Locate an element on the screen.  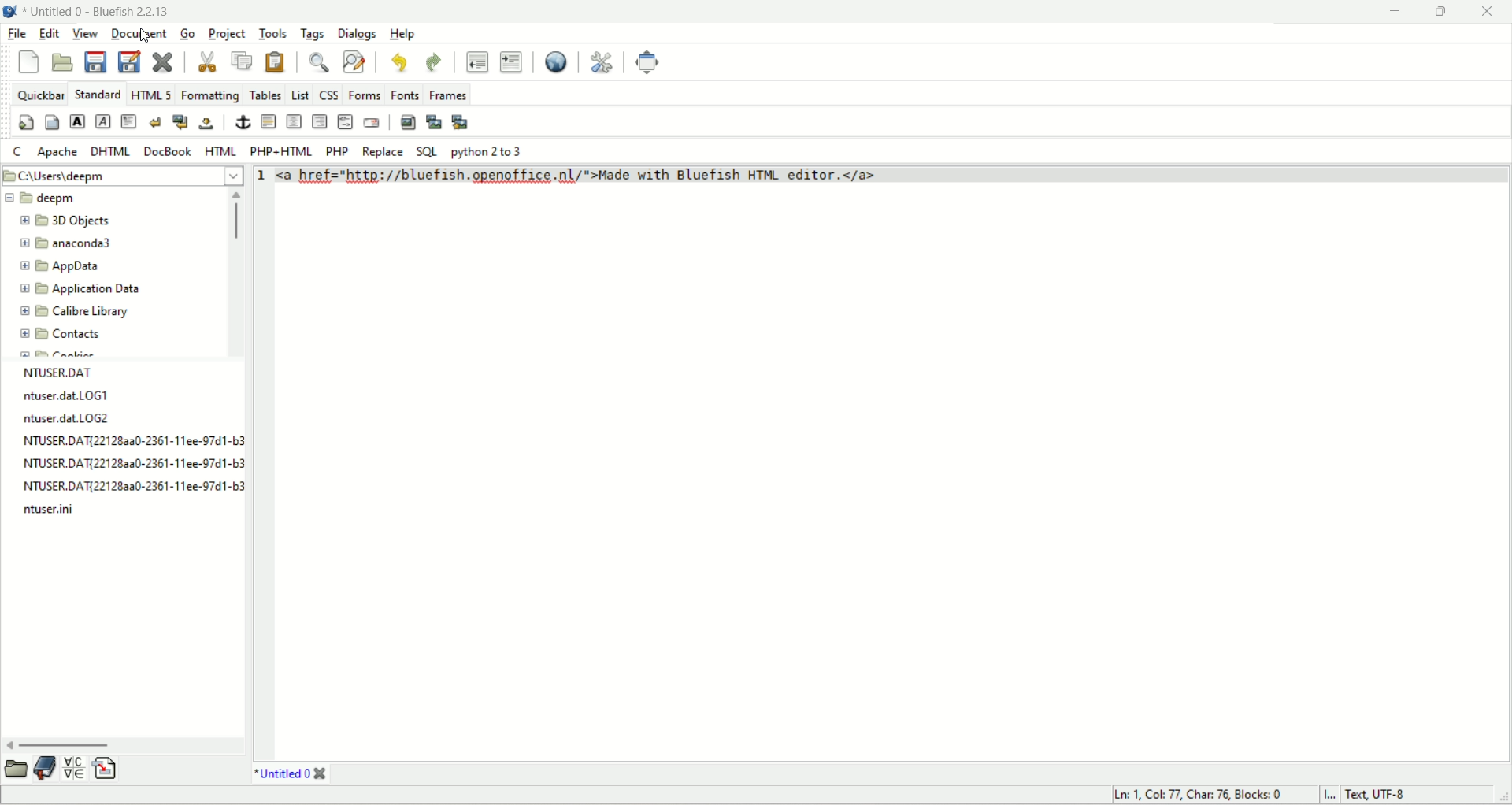
fonts is located at coordinates (404, 95).